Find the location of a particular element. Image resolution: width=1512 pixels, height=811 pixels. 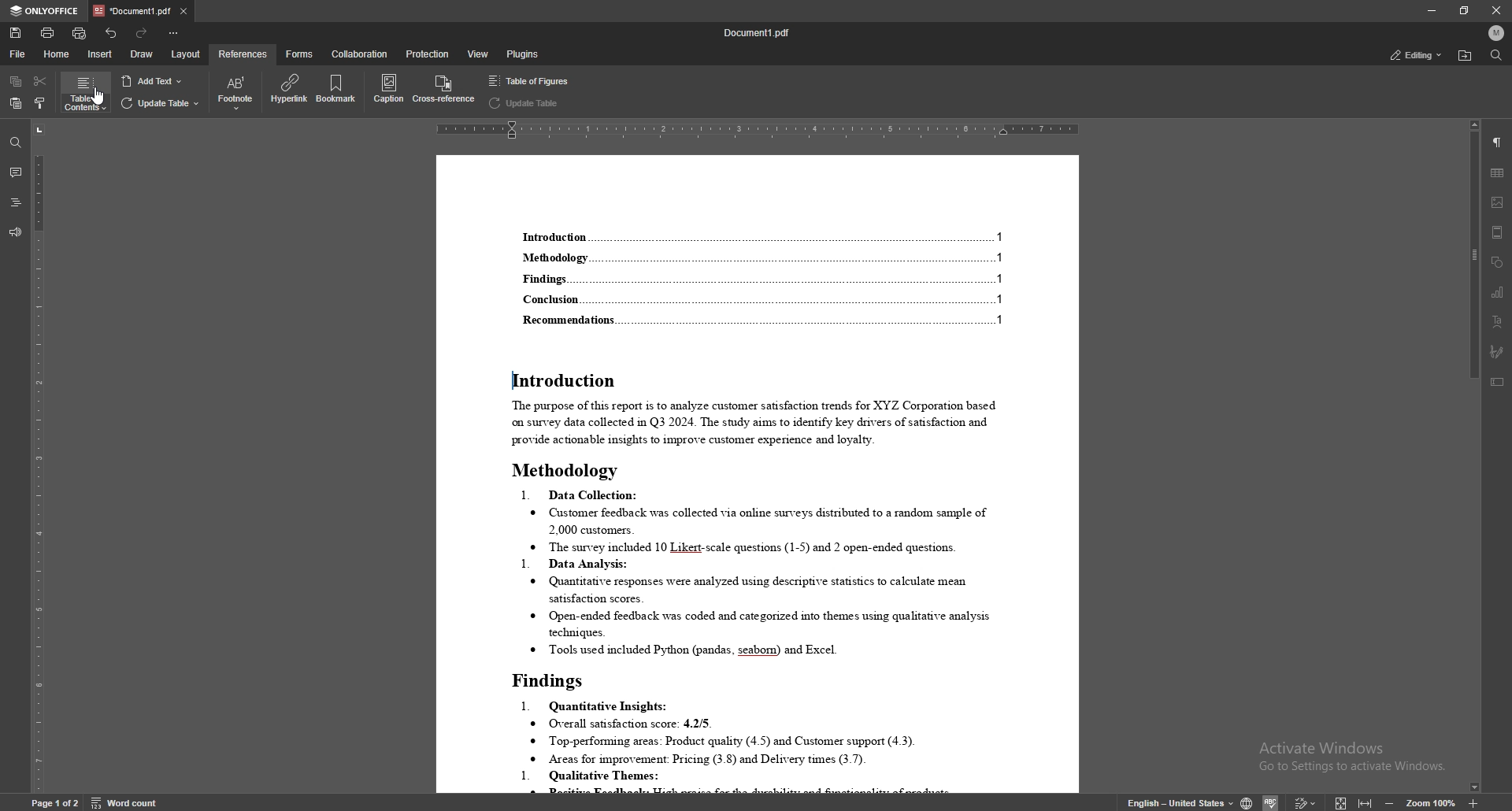

resize is located at coordinates (1463, 10).